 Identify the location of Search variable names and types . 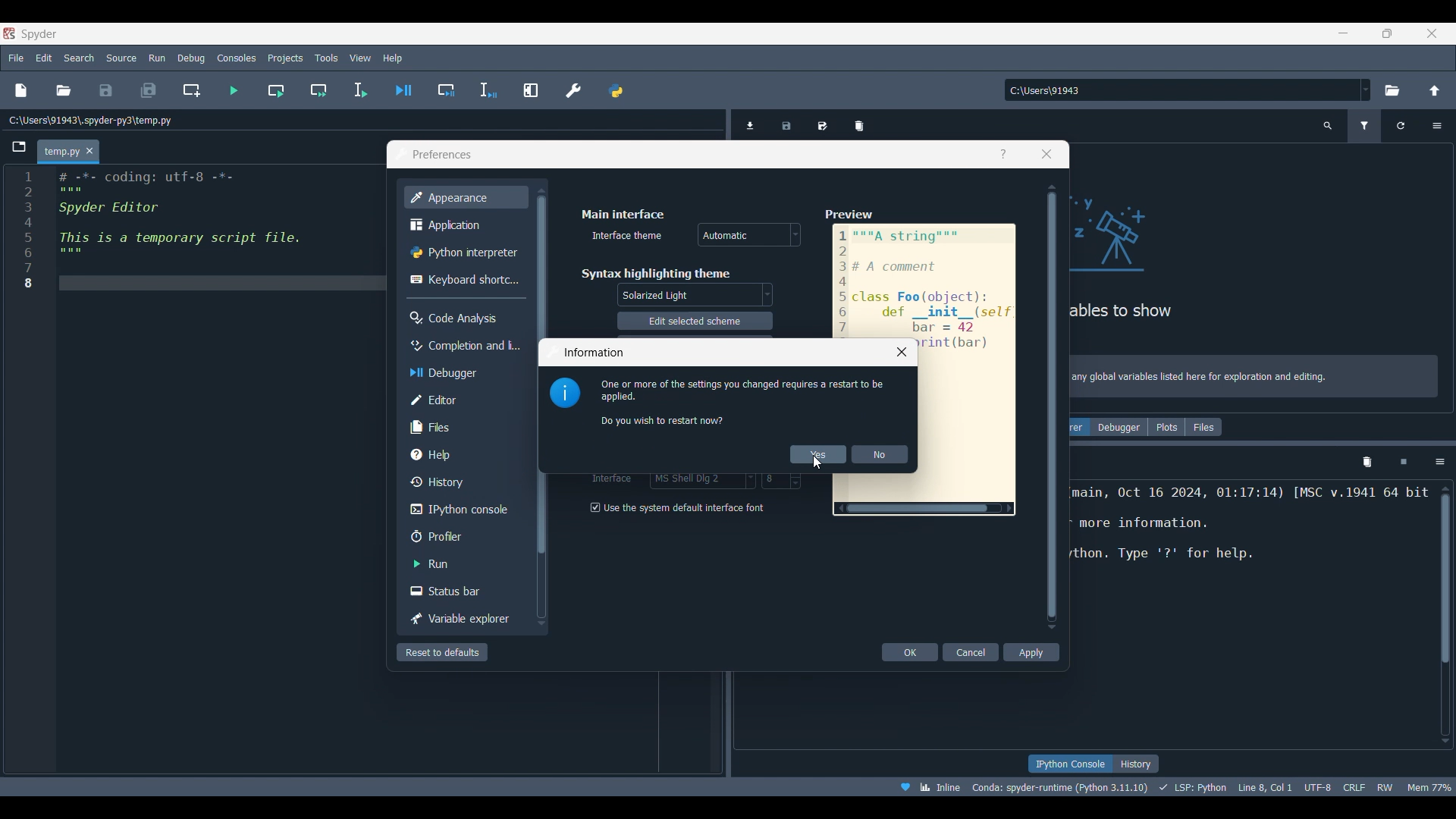
(1328, 126).